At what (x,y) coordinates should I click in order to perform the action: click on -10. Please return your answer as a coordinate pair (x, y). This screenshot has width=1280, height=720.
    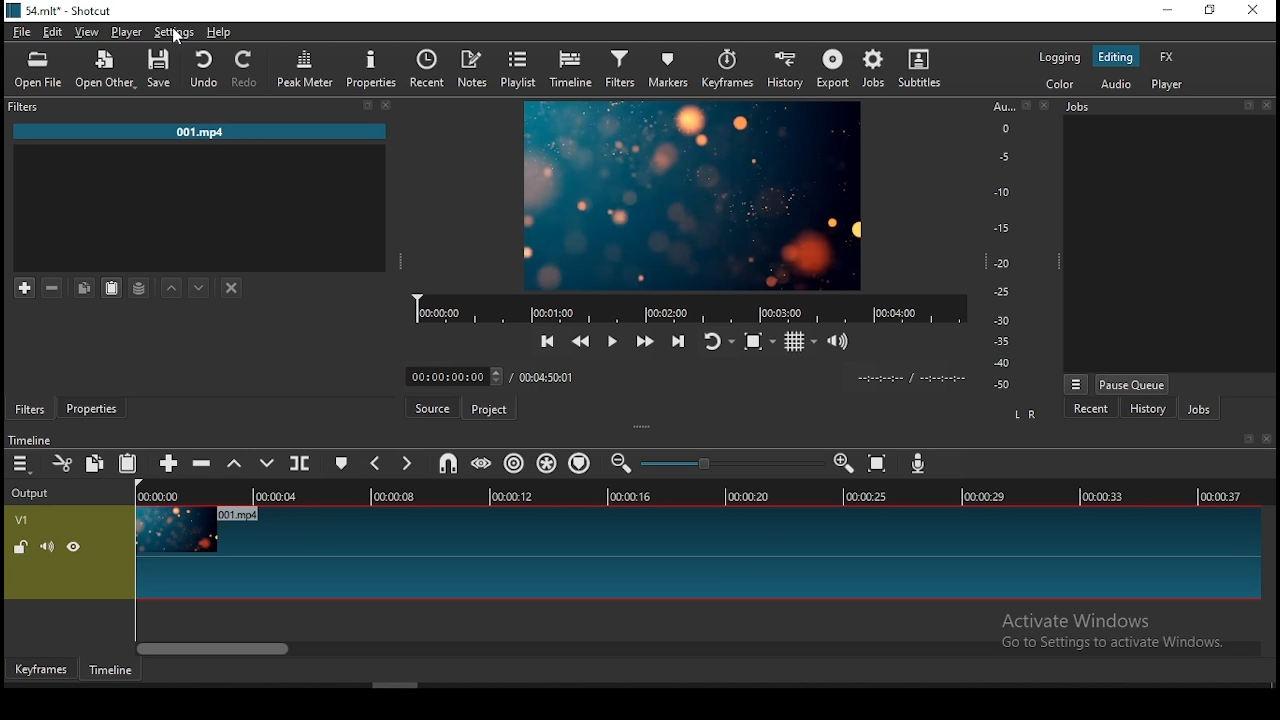
    Looking at the image, I should click on (1000, 192).